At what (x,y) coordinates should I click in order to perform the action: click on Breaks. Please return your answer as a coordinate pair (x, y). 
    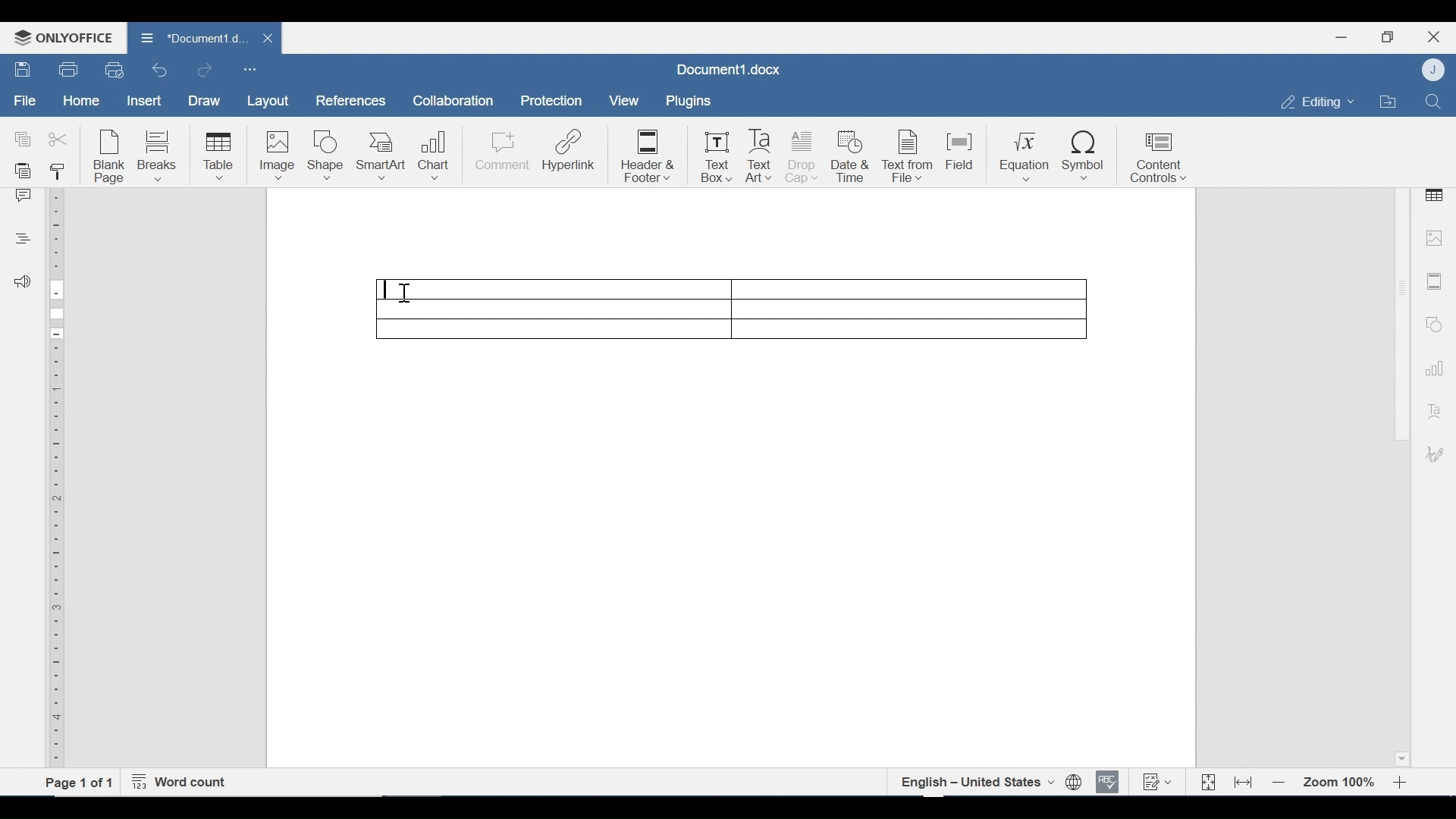
    Looking at the image, I should click on (160, 155).